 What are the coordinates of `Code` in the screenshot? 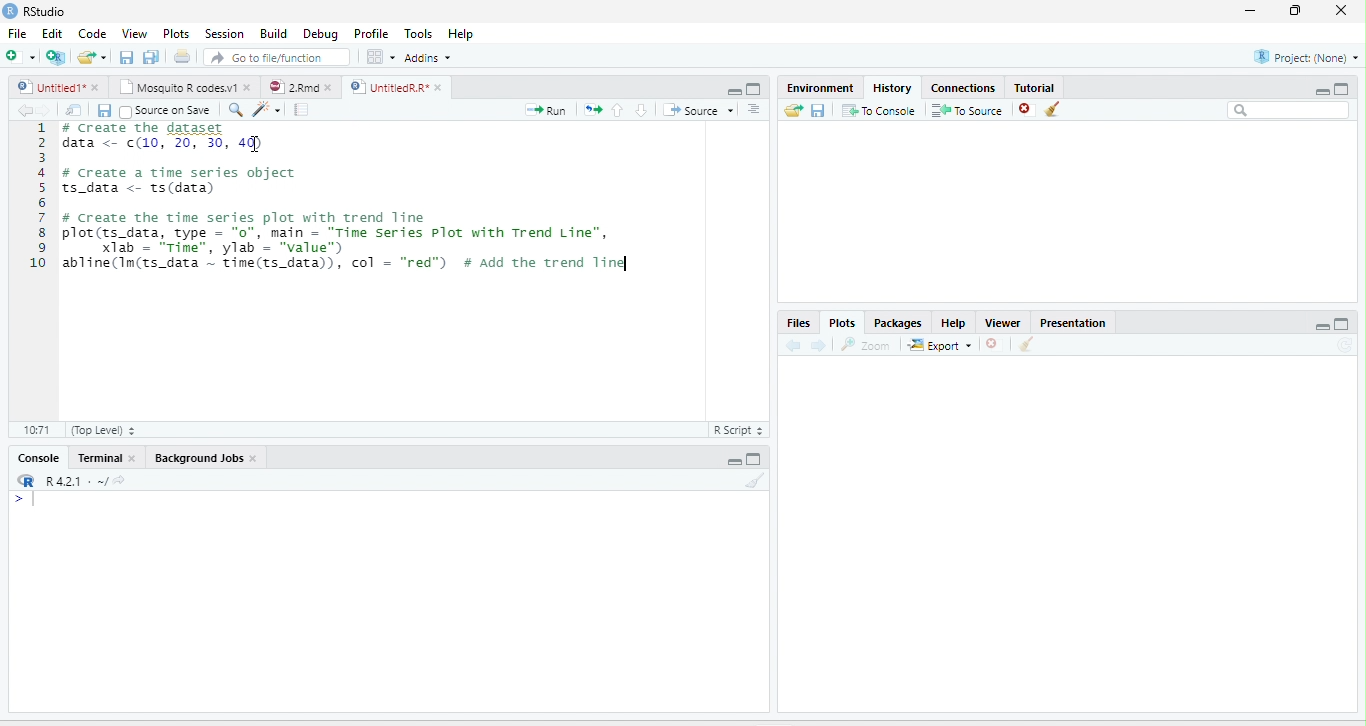 It's located at (93, 33).